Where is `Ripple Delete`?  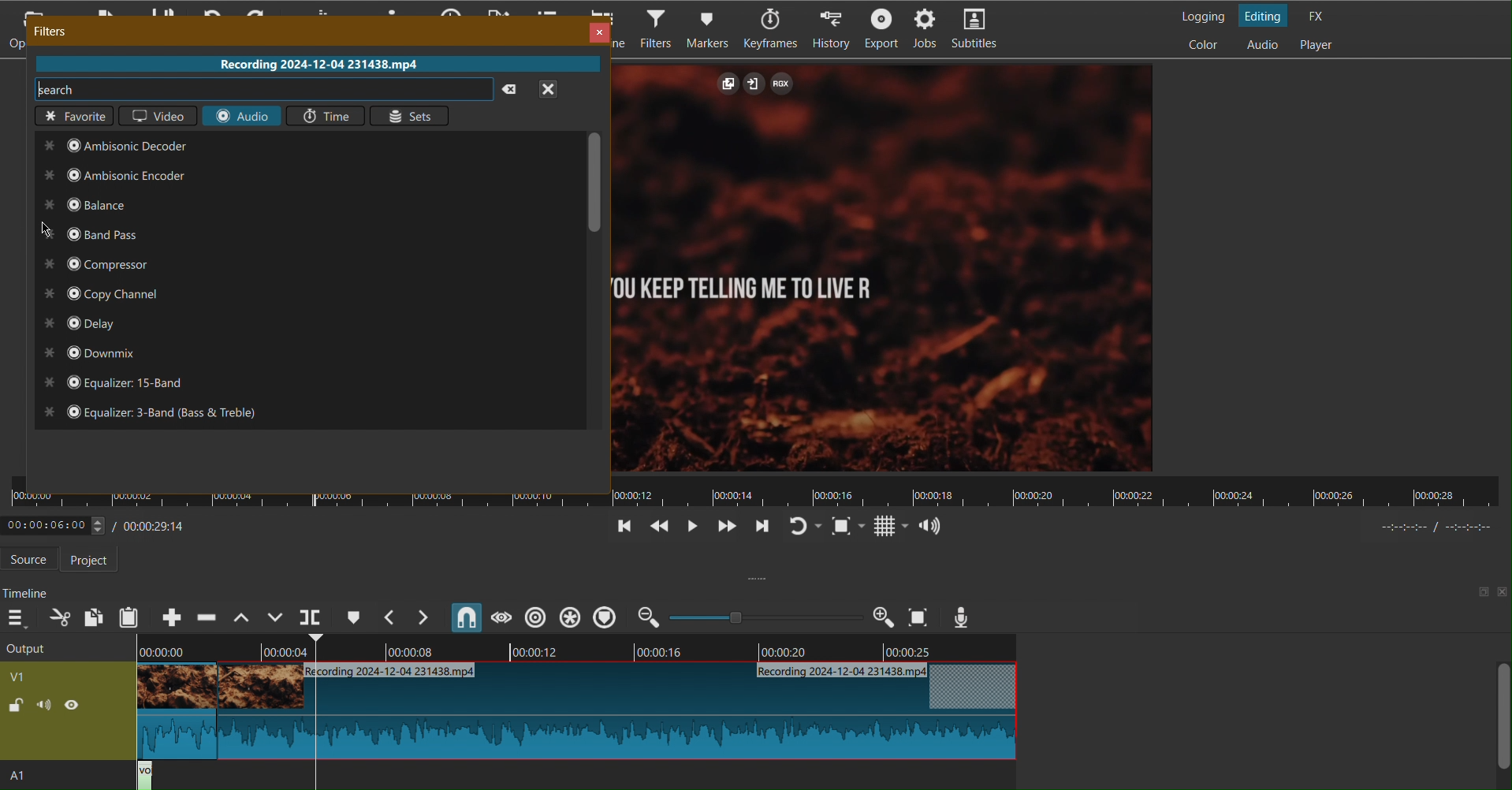
Ripple Delete is located at coordinates (206, 617).